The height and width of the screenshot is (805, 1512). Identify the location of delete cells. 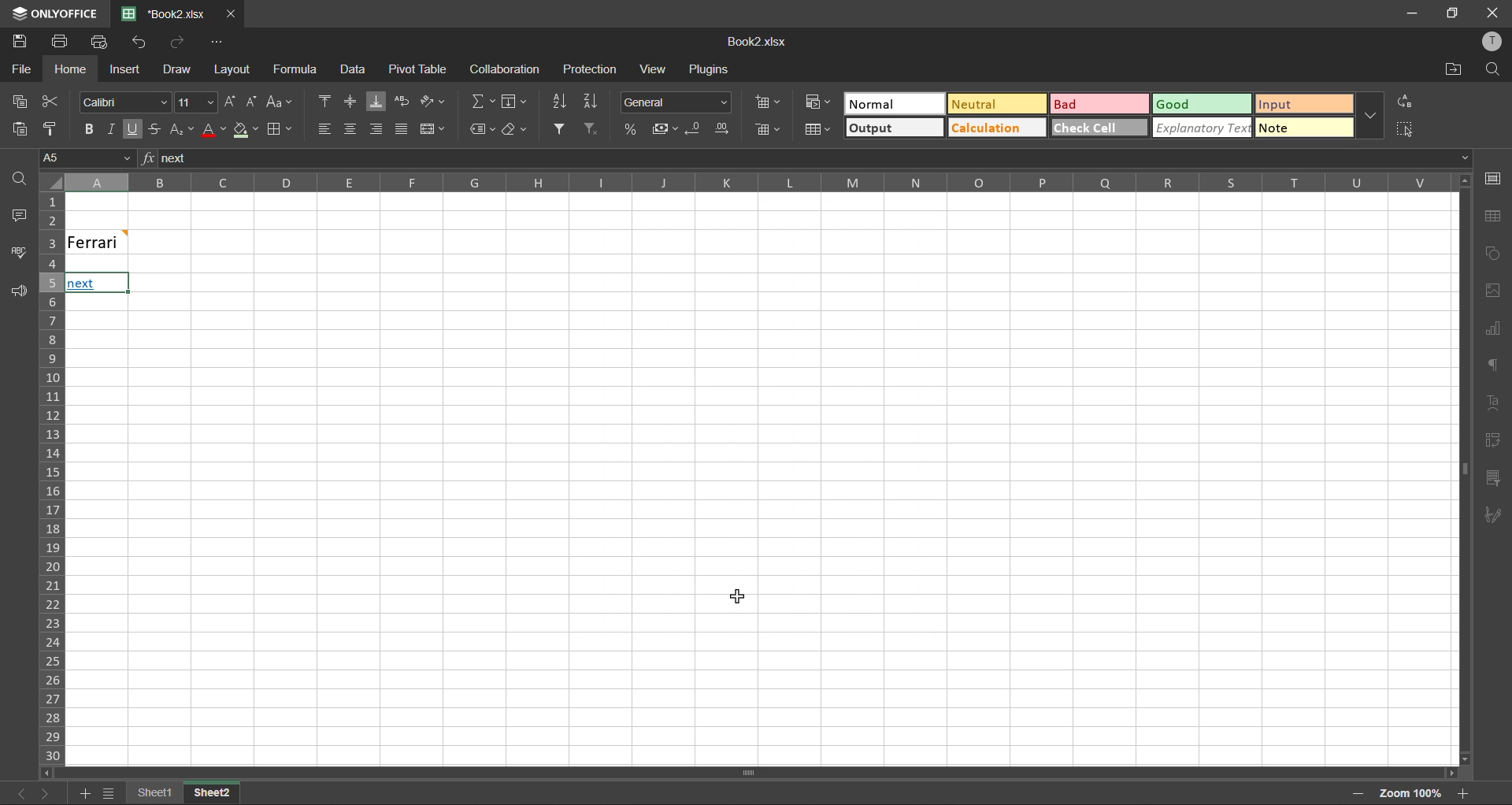
(770, 129).